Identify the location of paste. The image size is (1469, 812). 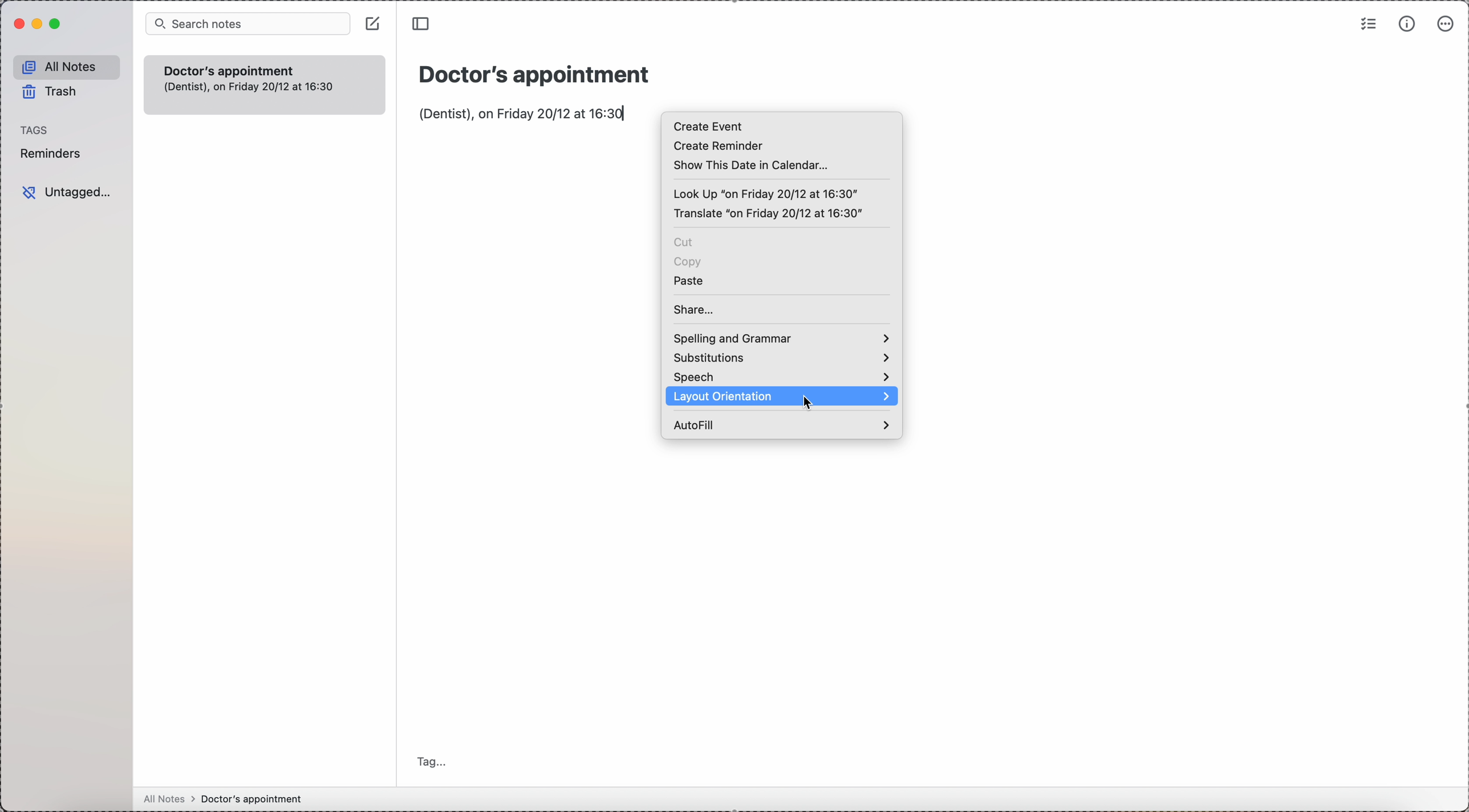
(689, 280).